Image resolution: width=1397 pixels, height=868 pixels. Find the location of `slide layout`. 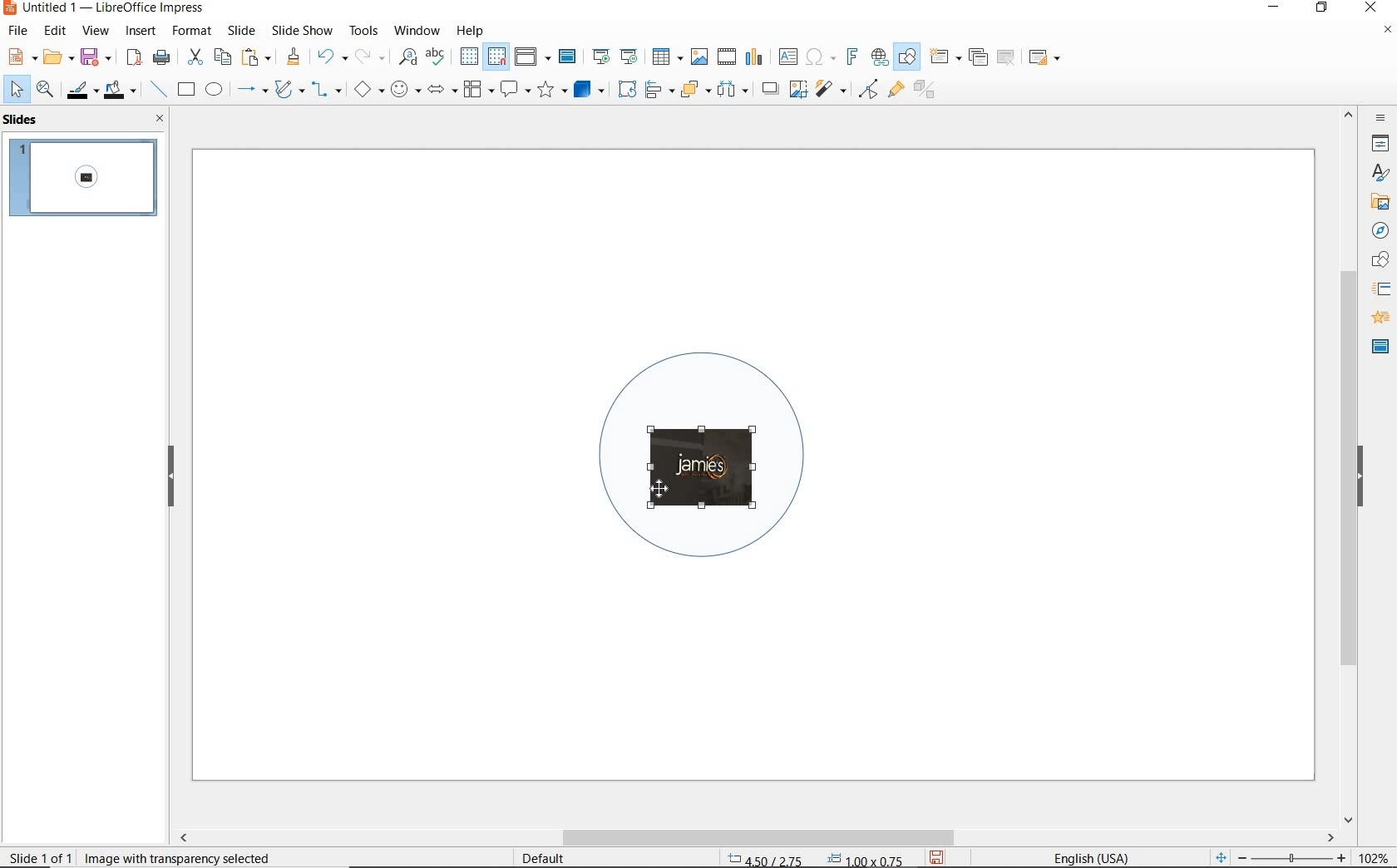

slide layout is located at coordinates (1045, 58).